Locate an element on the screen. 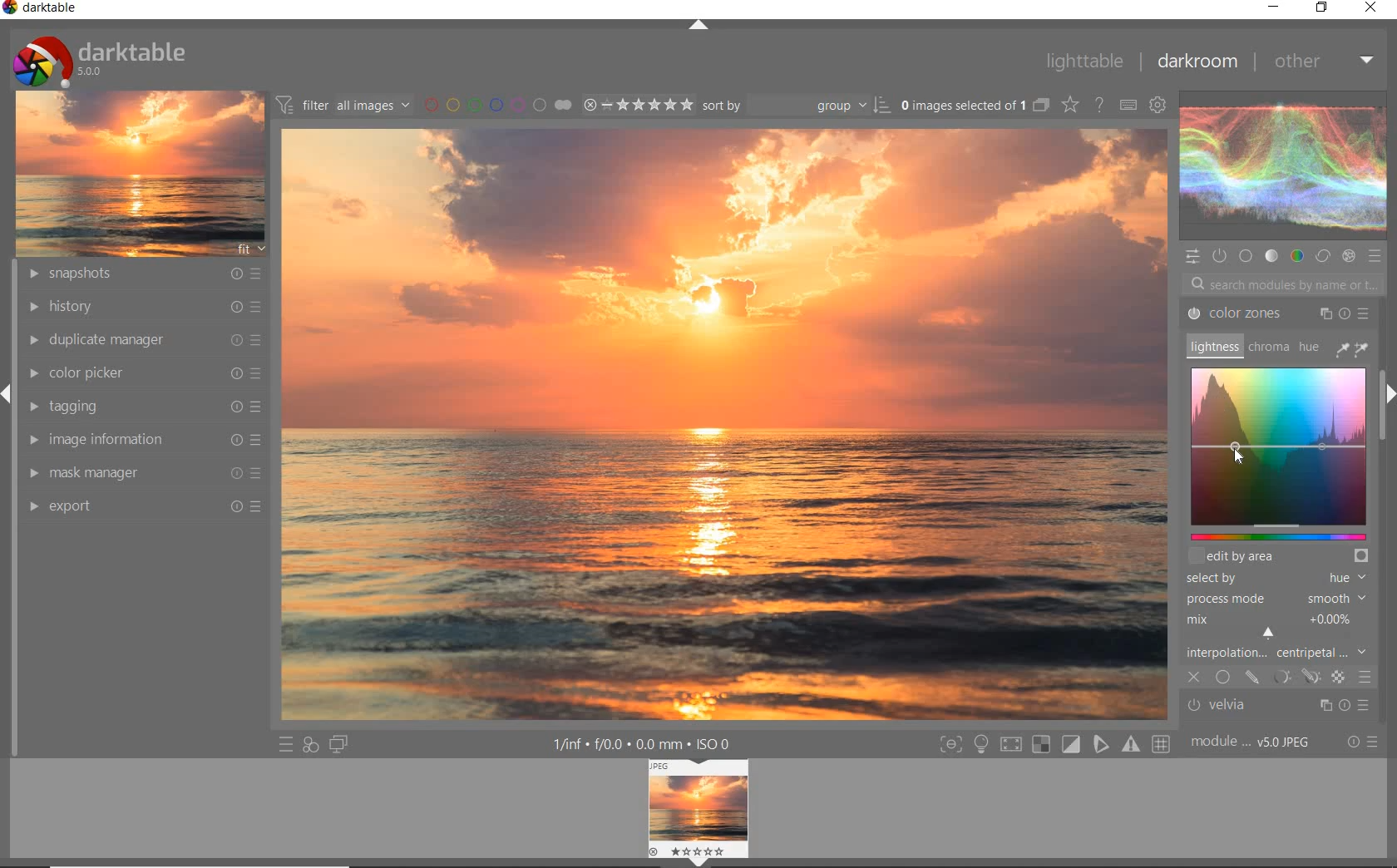  COLOR PICKER TOOLS is located at coordinates (1352, 348).